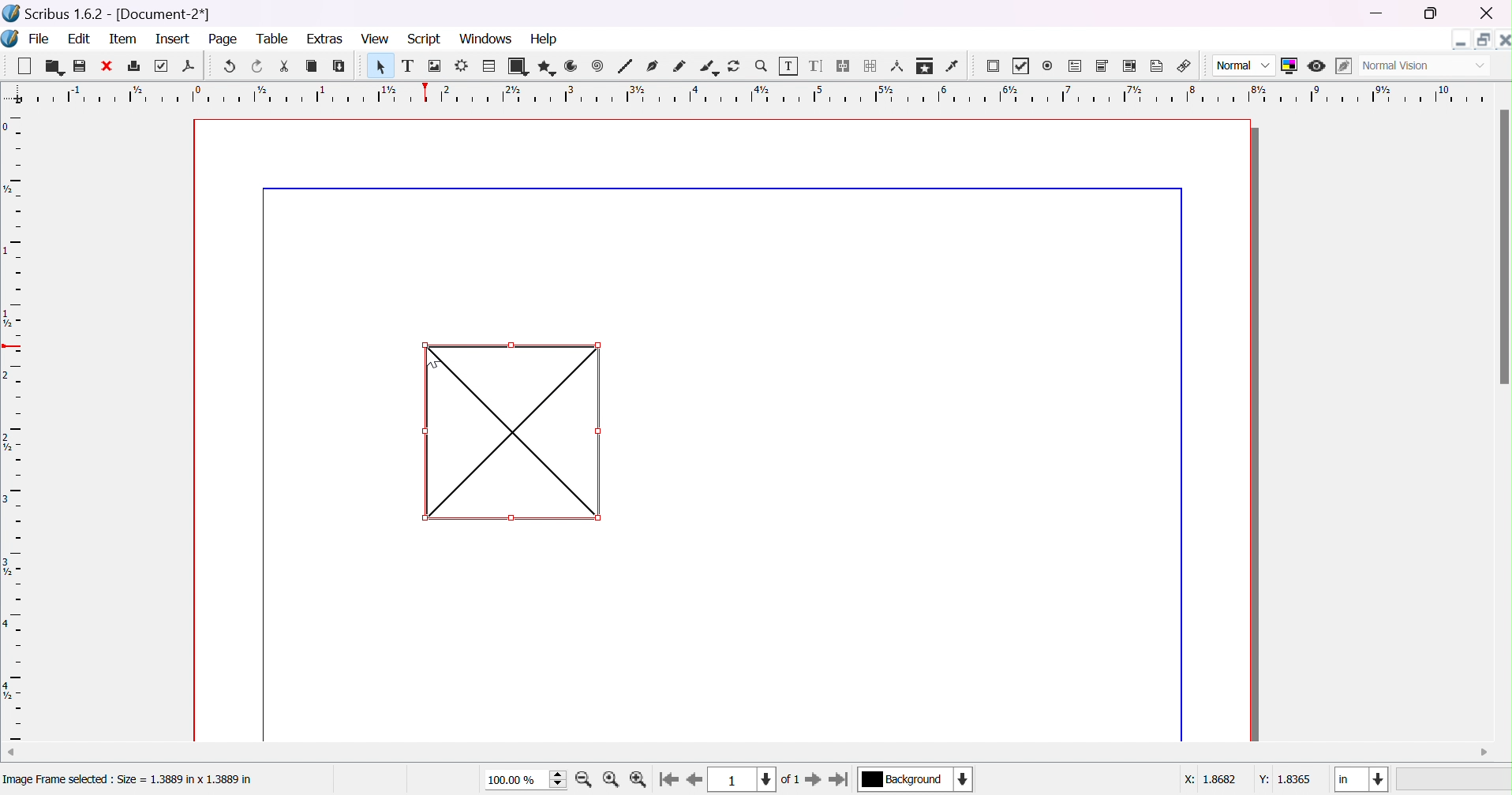  I want to click on script, so click(425, 39).